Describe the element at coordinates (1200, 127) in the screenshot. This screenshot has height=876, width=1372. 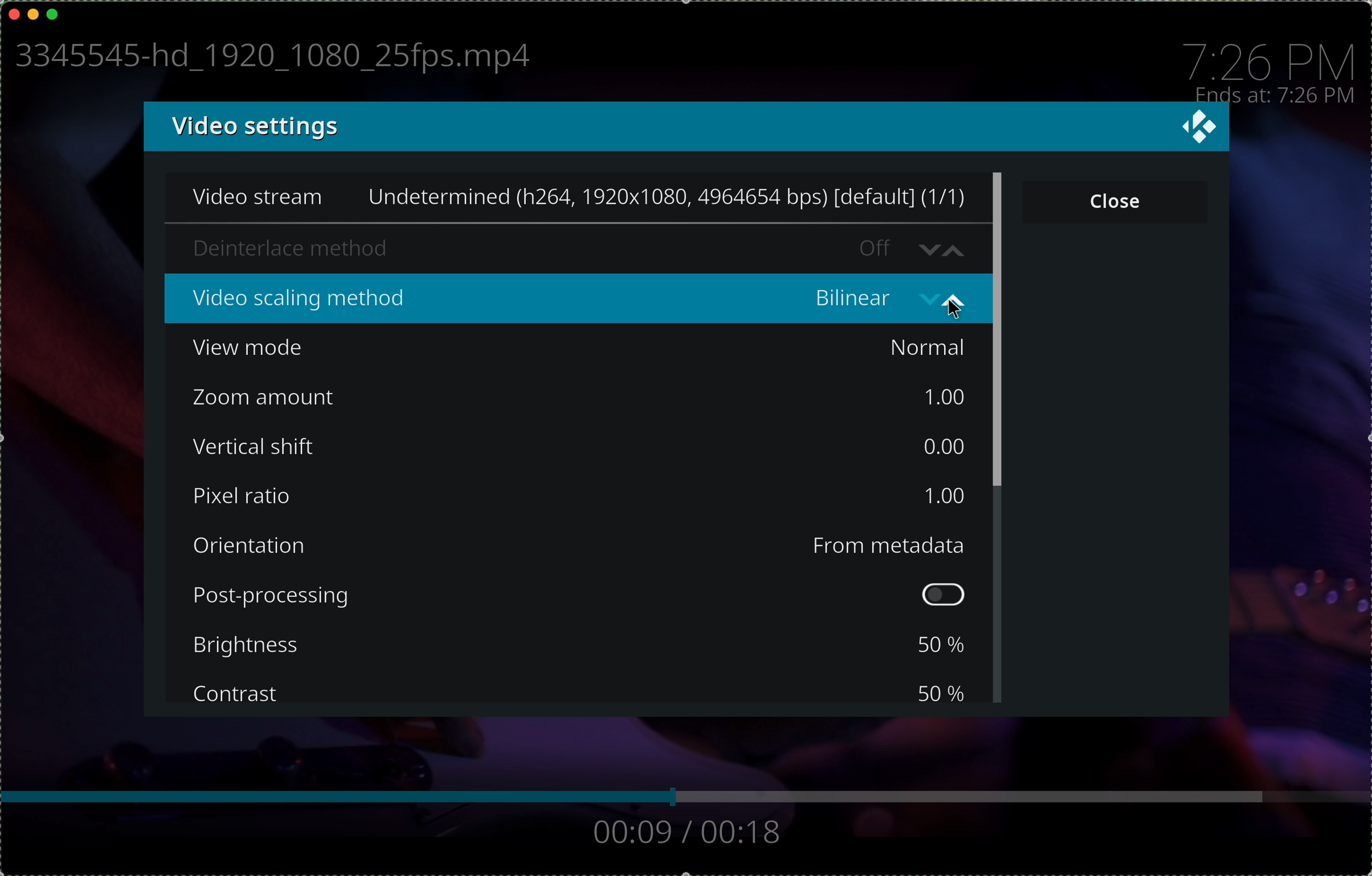
I see `close` at that location.